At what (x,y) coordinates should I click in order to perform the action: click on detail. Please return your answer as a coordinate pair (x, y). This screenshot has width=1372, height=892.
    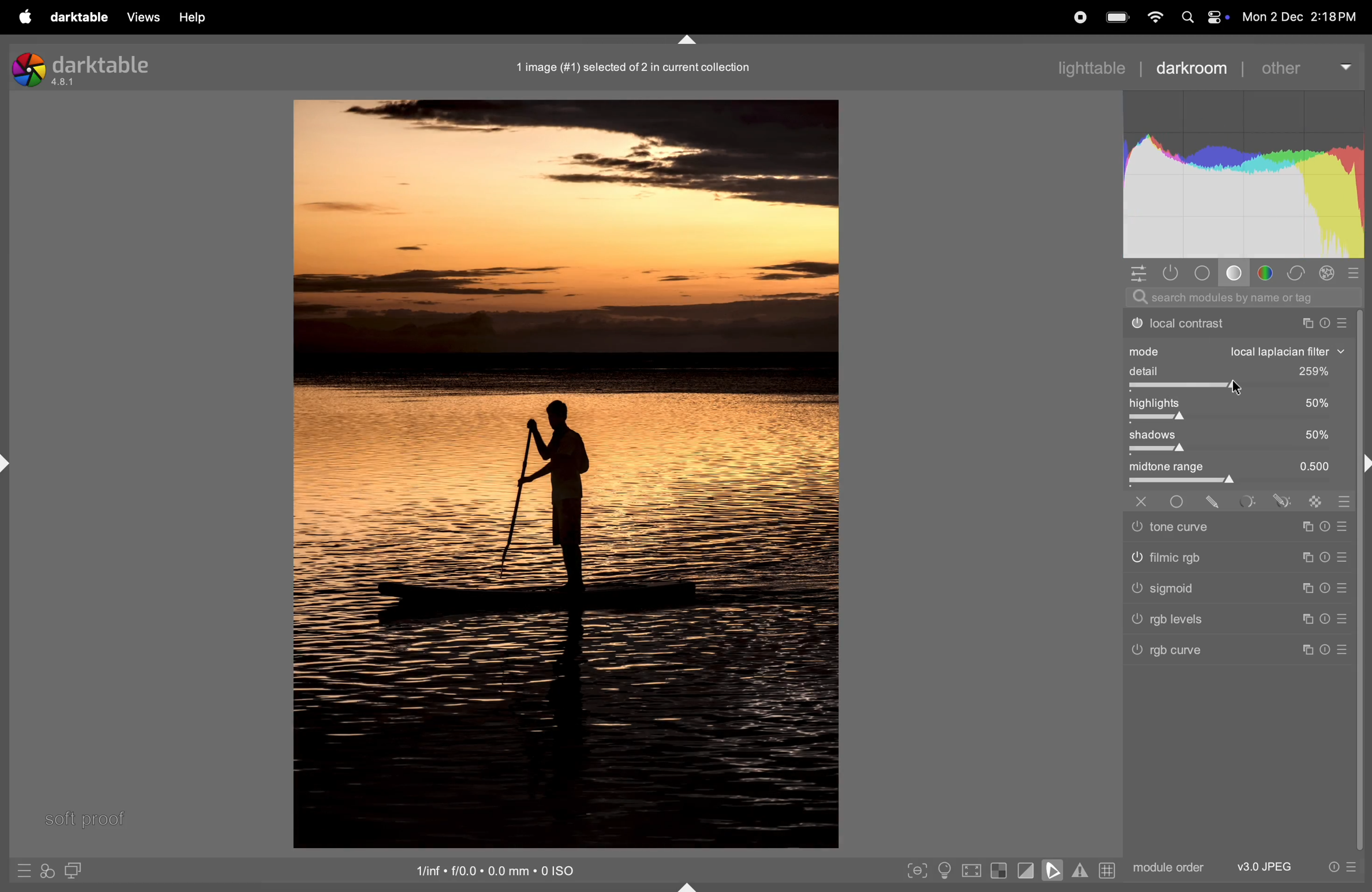
    Looking at the image, I should click on (1235, 370).